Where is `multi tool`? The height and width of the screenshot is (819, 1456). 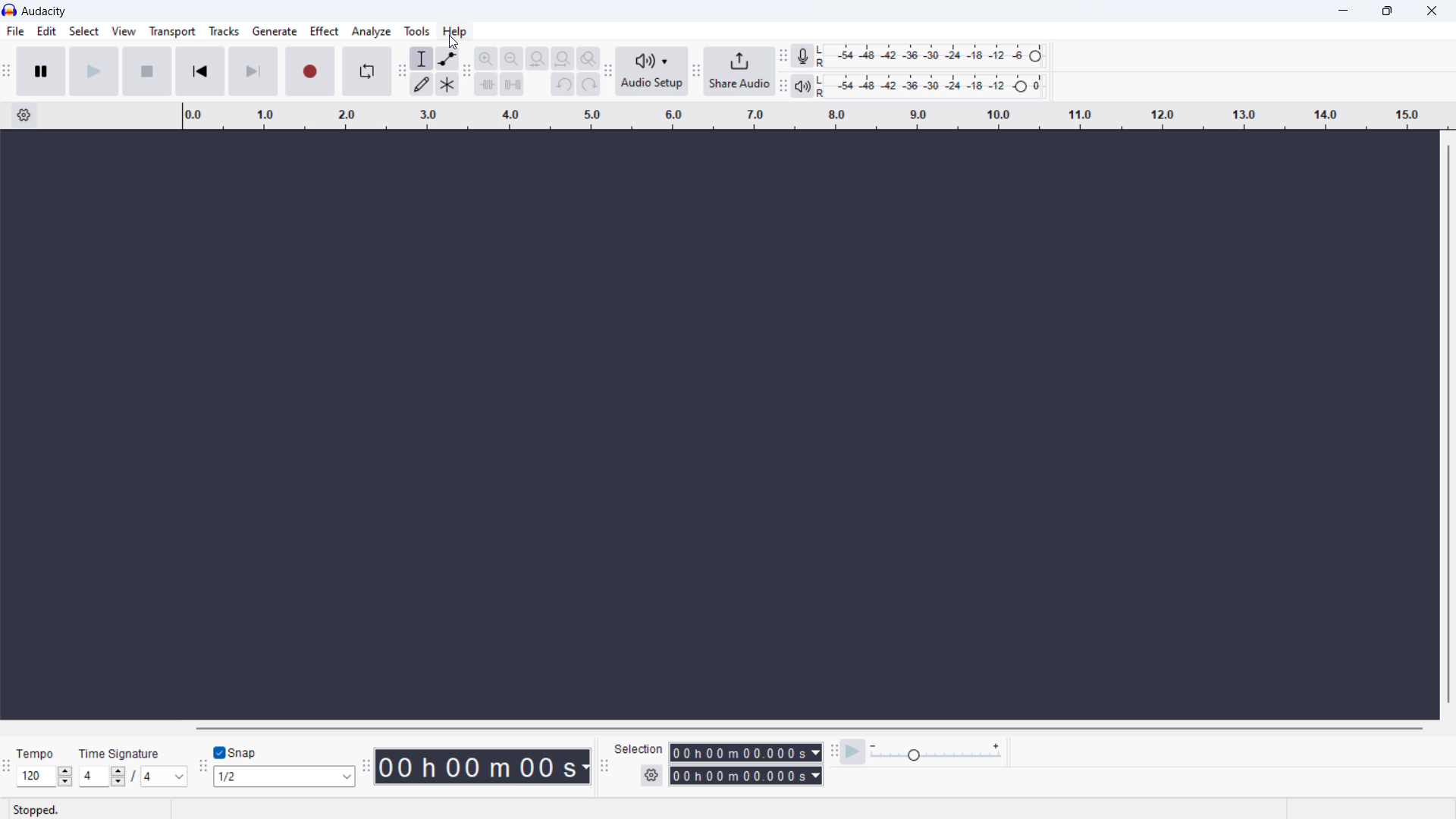
multi tool is located at coordinates (447, 83).